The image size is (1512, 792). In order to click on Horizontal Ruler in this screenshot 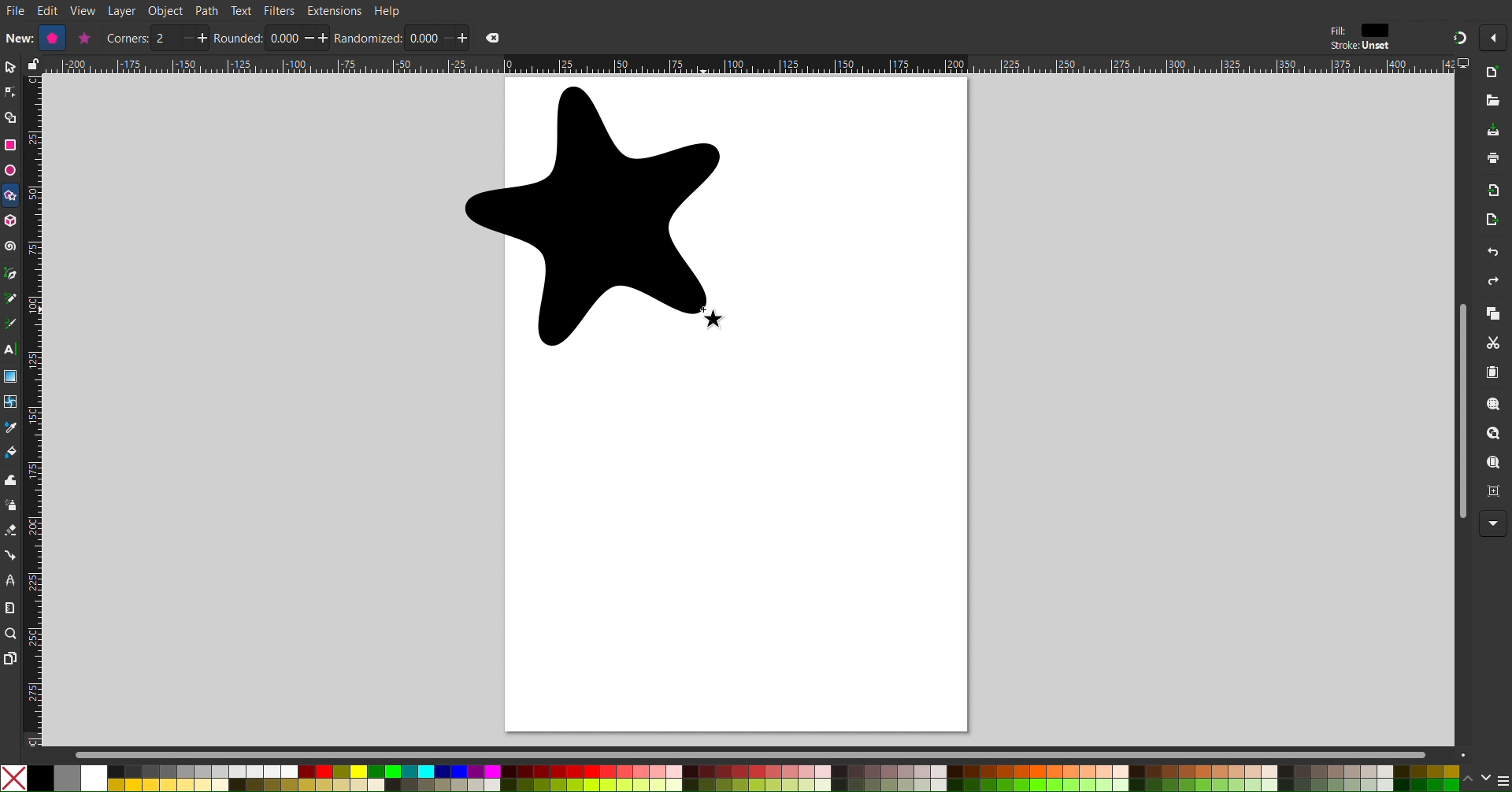, I will do `click(748, 65)`.